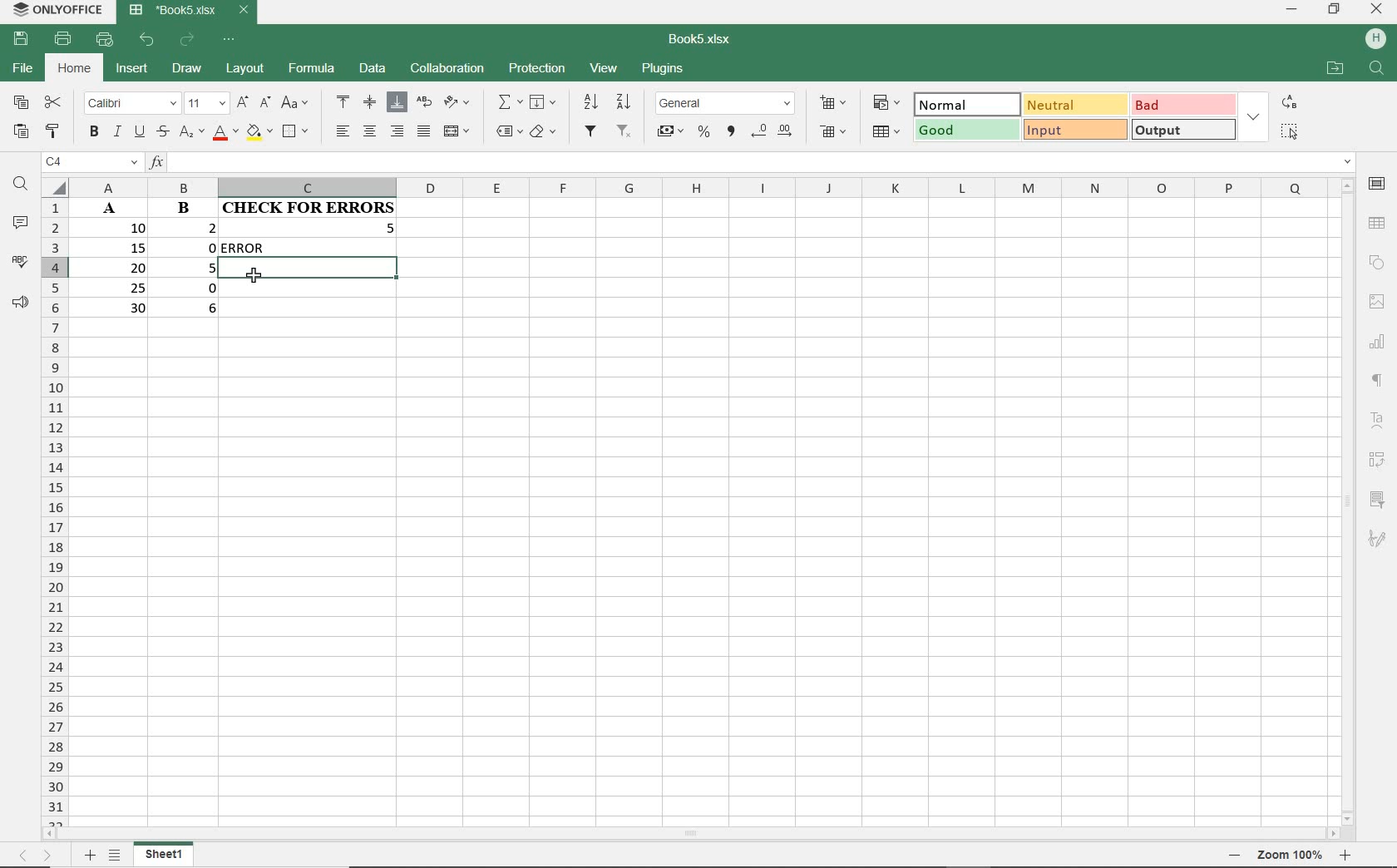 This screenshot has width=1397, height=868. I want to click on PERCENT STYLE, so click(705, 132).